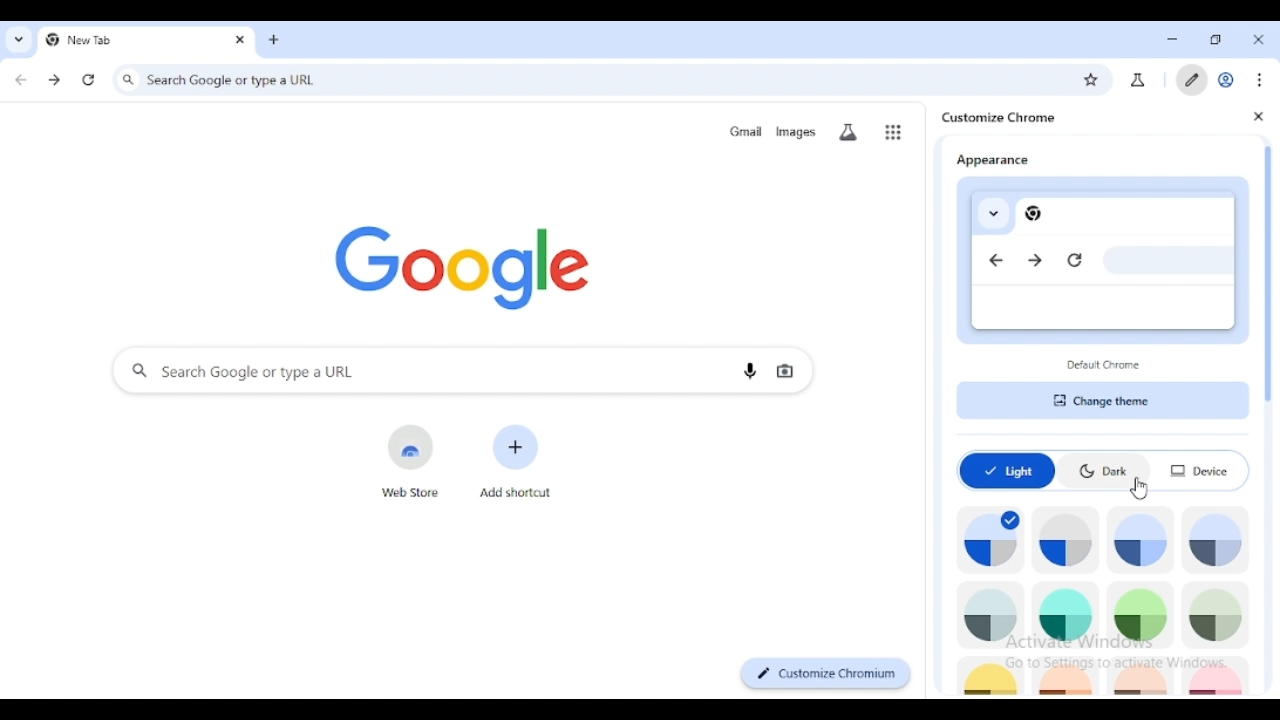 Image resolution: width=1280 pixels, height=720 pixels. I want to click on google apps, so click(893, 132).